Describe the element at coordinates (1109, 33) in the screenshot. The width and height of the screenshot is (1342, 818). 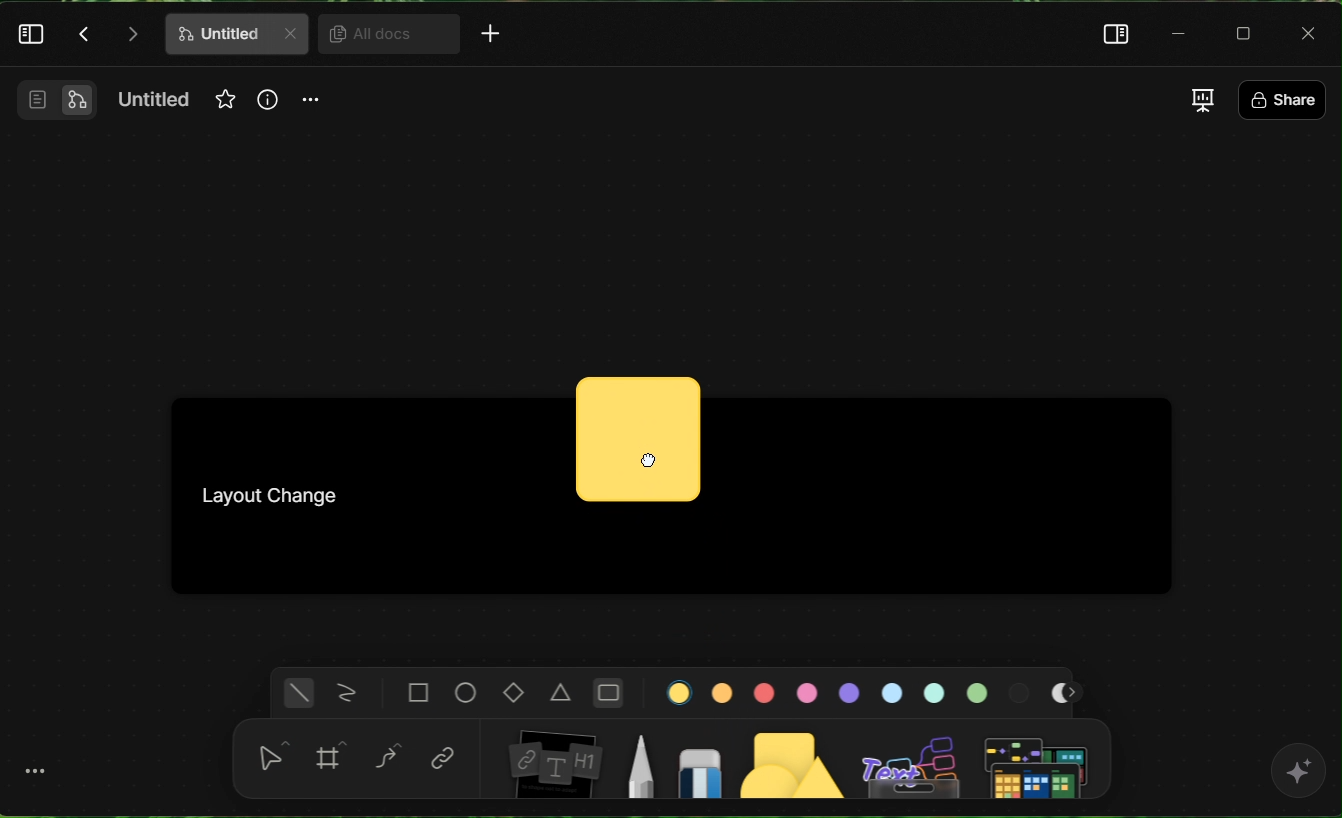
I see `right panel` at that location.